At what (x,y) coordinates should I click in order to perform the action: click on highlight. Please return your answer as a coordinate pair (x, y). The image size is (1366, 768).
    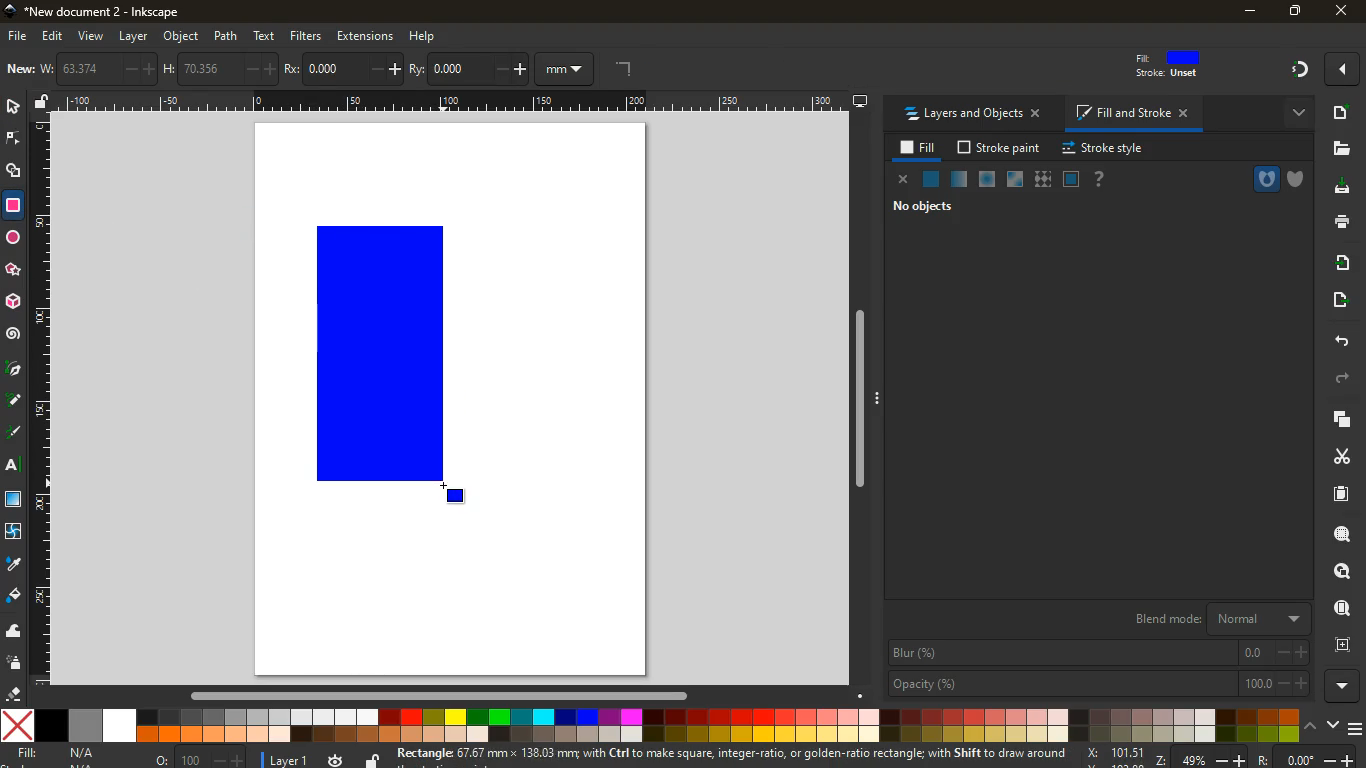
    Looking at the image, I should click on (17, 434).